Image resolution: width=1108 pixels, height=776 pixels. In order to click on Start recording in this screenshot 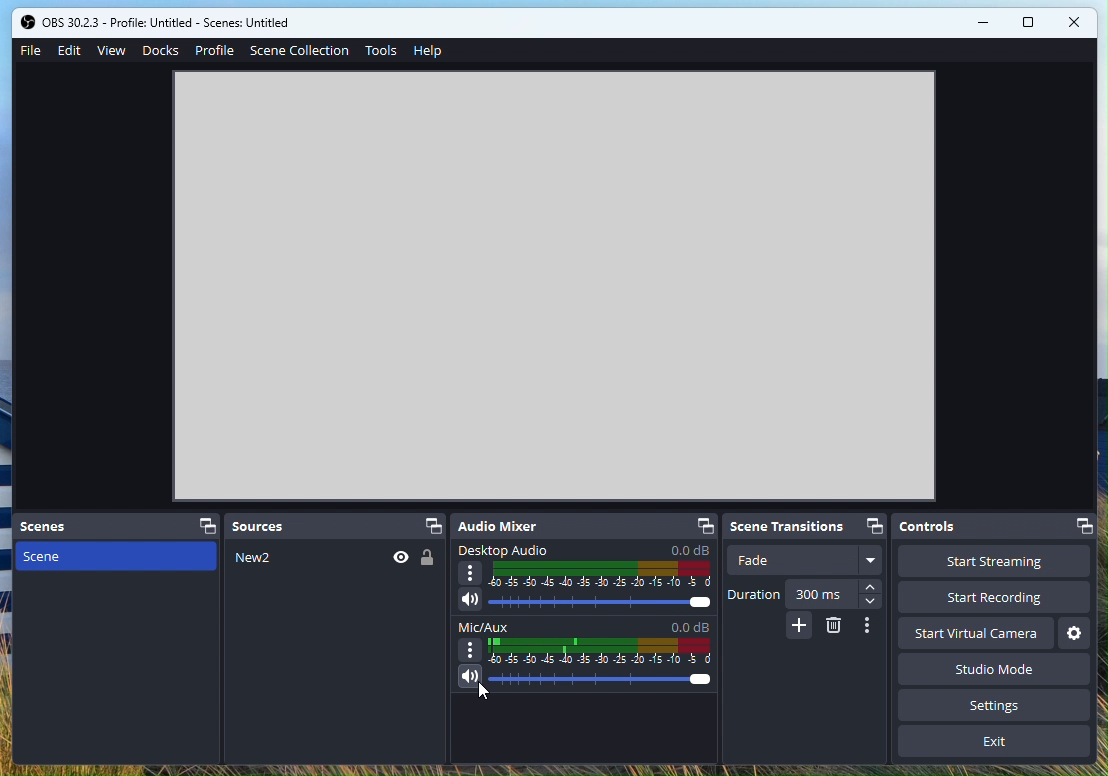, I will do `click(992, 598)`.